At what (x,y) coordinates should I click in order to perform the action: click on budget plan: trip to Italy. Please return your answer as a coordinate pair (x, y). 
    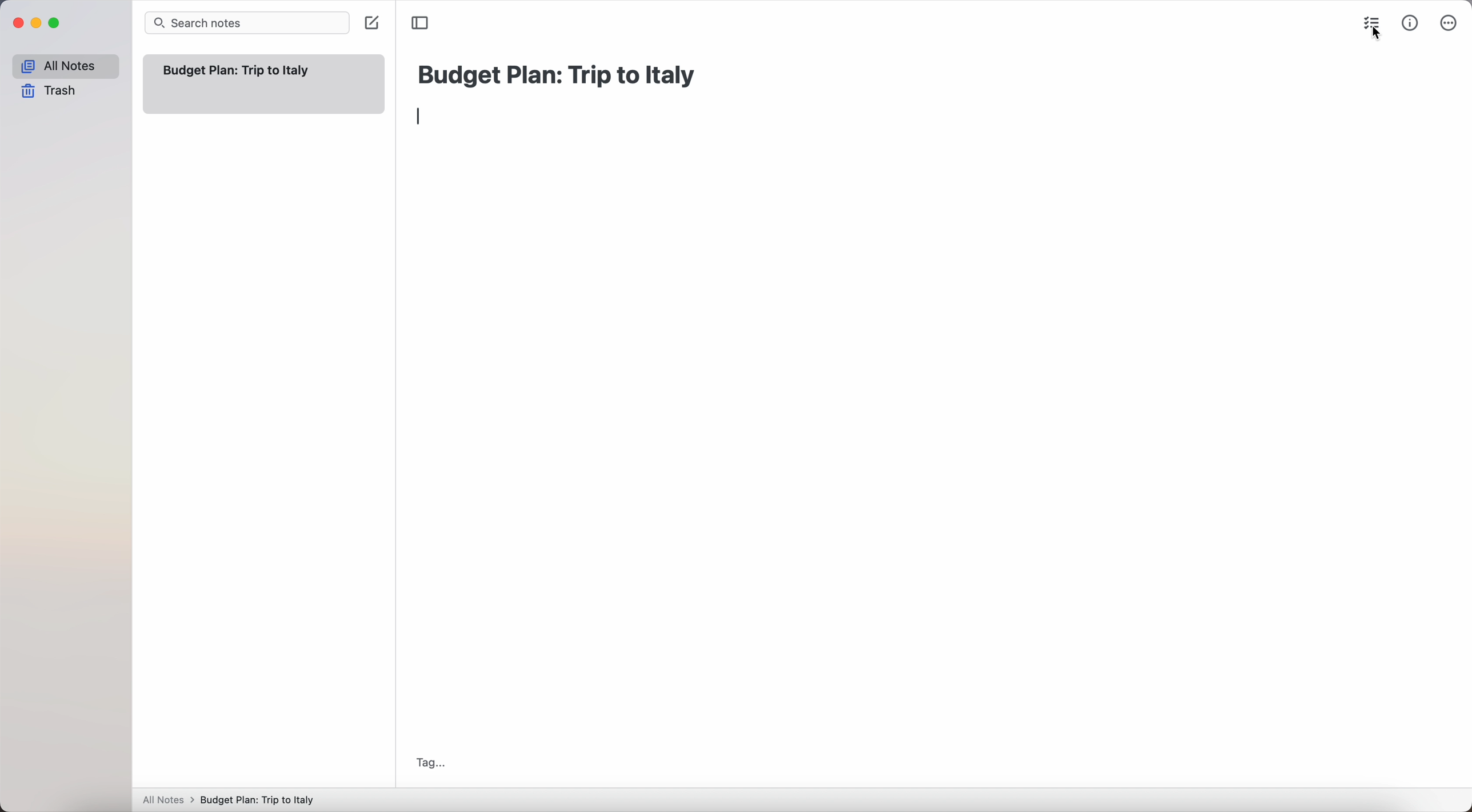
    Looking at the image, I should click on (559, 73).